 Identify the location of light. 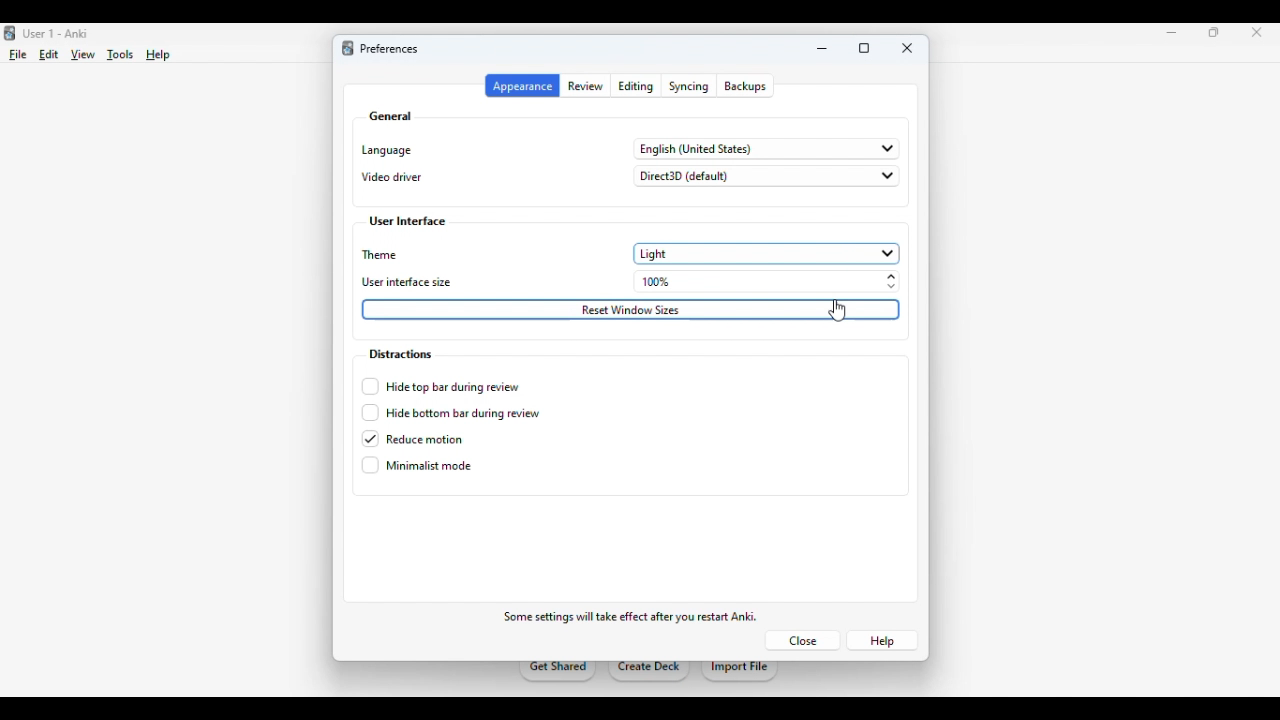
(766, 253).